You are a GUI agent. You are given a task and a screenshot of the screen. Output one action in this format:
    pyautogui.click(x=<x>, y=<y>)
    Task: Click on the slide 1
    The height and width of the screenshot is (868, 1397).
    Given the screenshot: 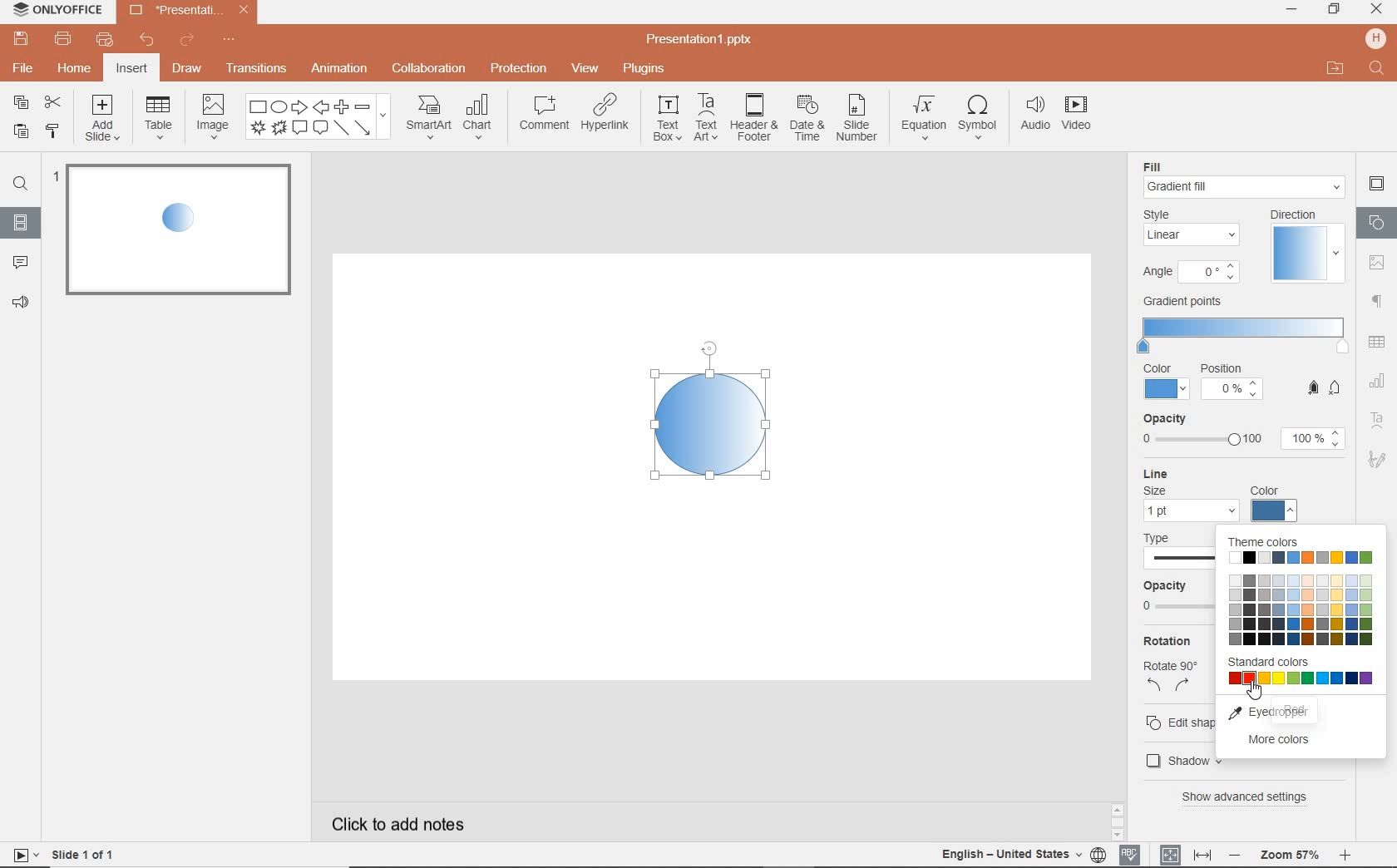 What is the action you would take?
    pyautogui.click(x=179, y=229)
    